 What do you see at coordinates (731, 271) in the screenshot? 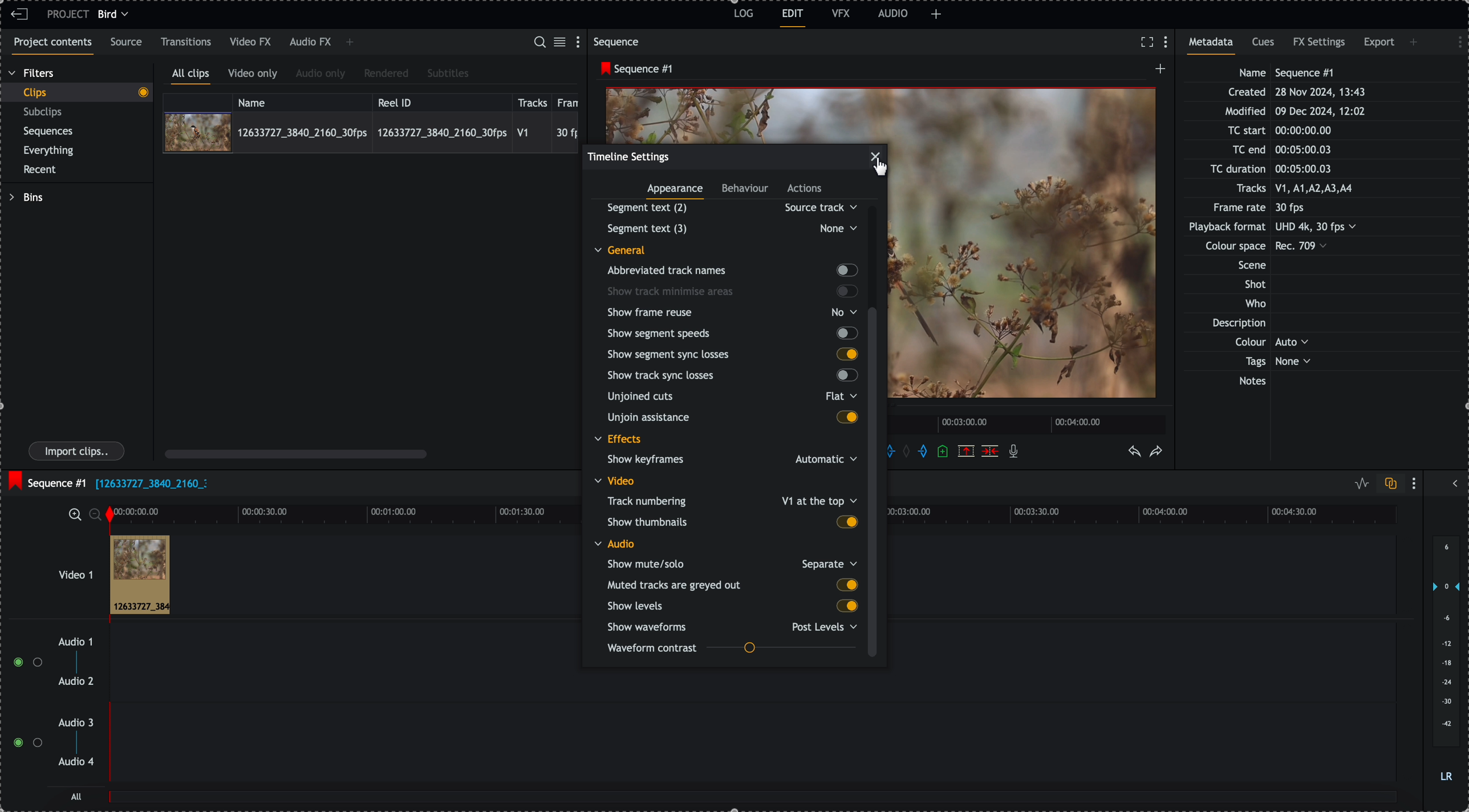
I see `abbreviated track names` at bounding box center [731, 271].